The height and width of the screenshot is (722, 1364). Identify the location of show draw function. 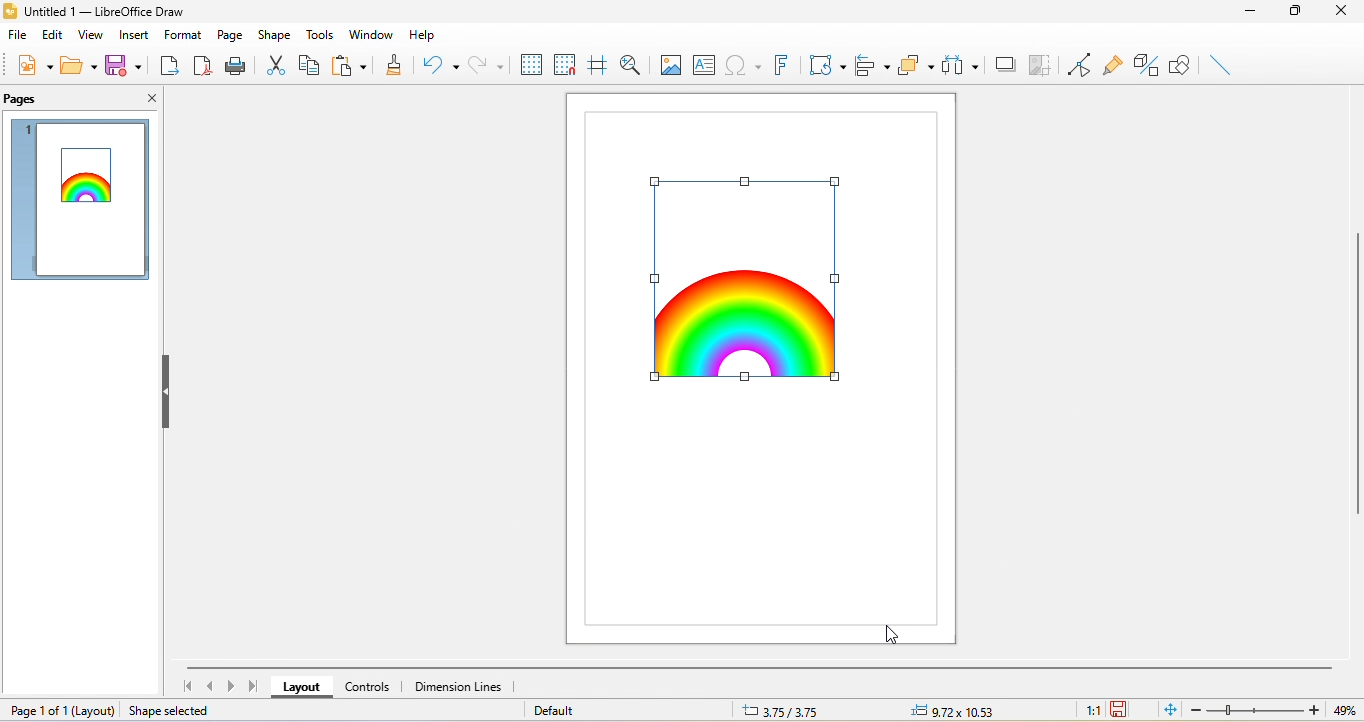
(1182, 62).